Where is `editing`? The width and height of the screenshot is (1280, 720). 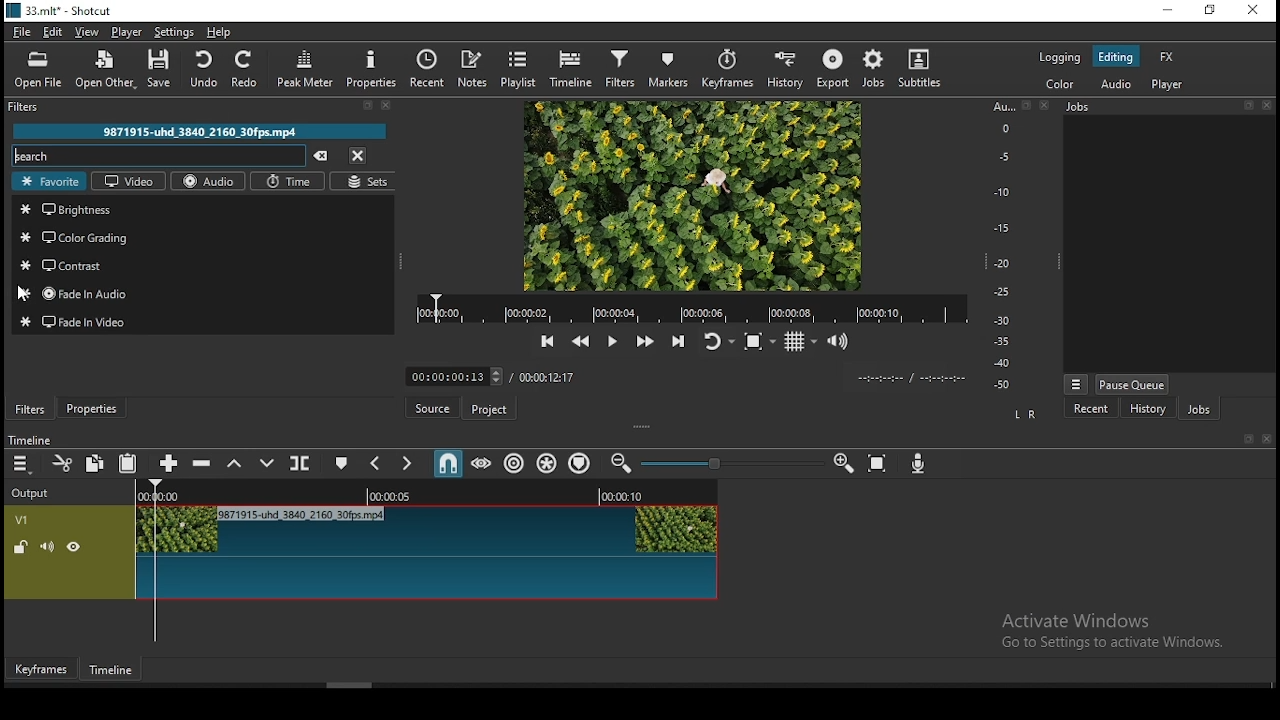 editing is located at coordinates (1118, 58).